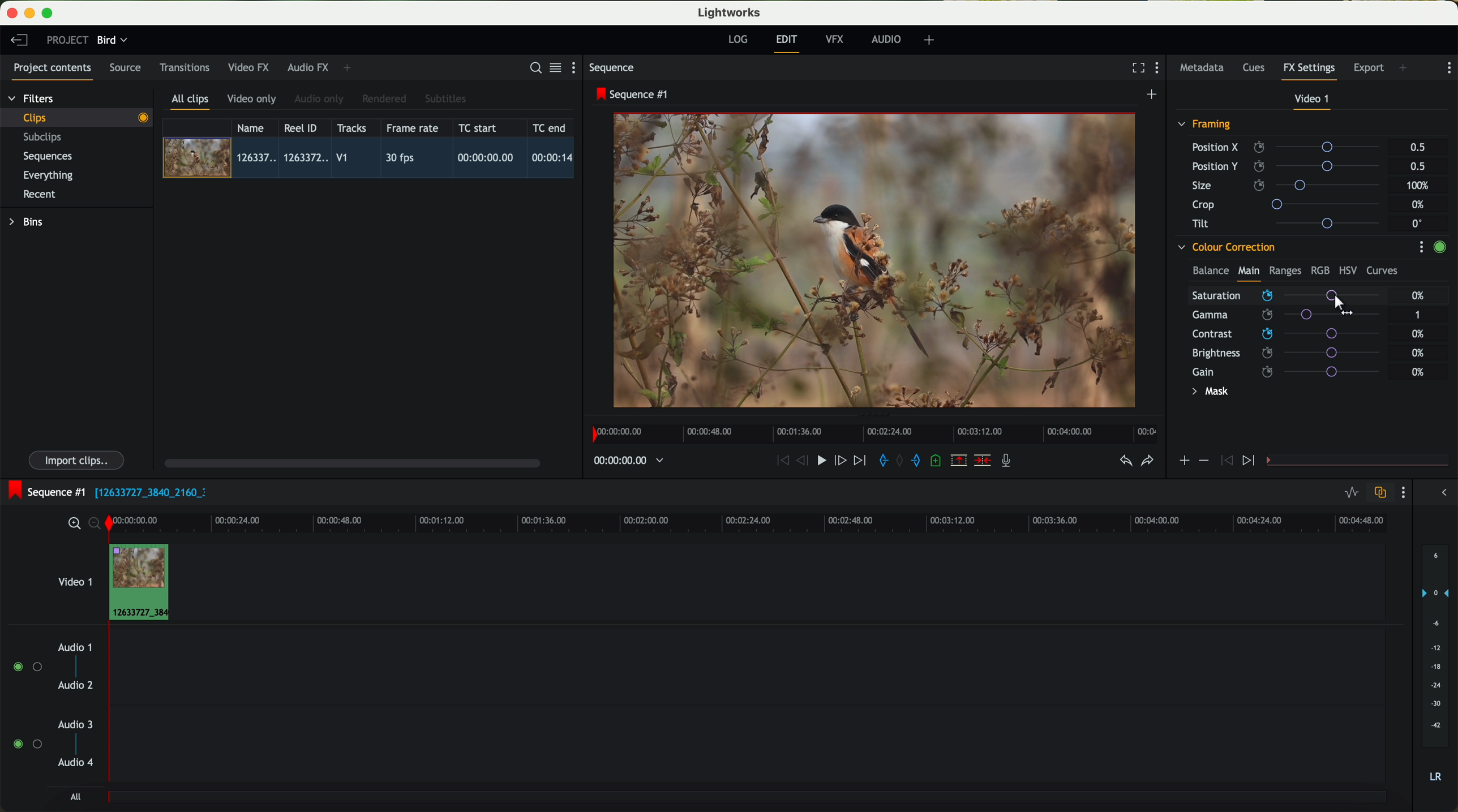 Image resolution: width=1458 pixels, height=812 pixels. What do you see at coordinates (633, 94) in the screenshot?
I see `sequence #1` at bounding box center [633, 94].